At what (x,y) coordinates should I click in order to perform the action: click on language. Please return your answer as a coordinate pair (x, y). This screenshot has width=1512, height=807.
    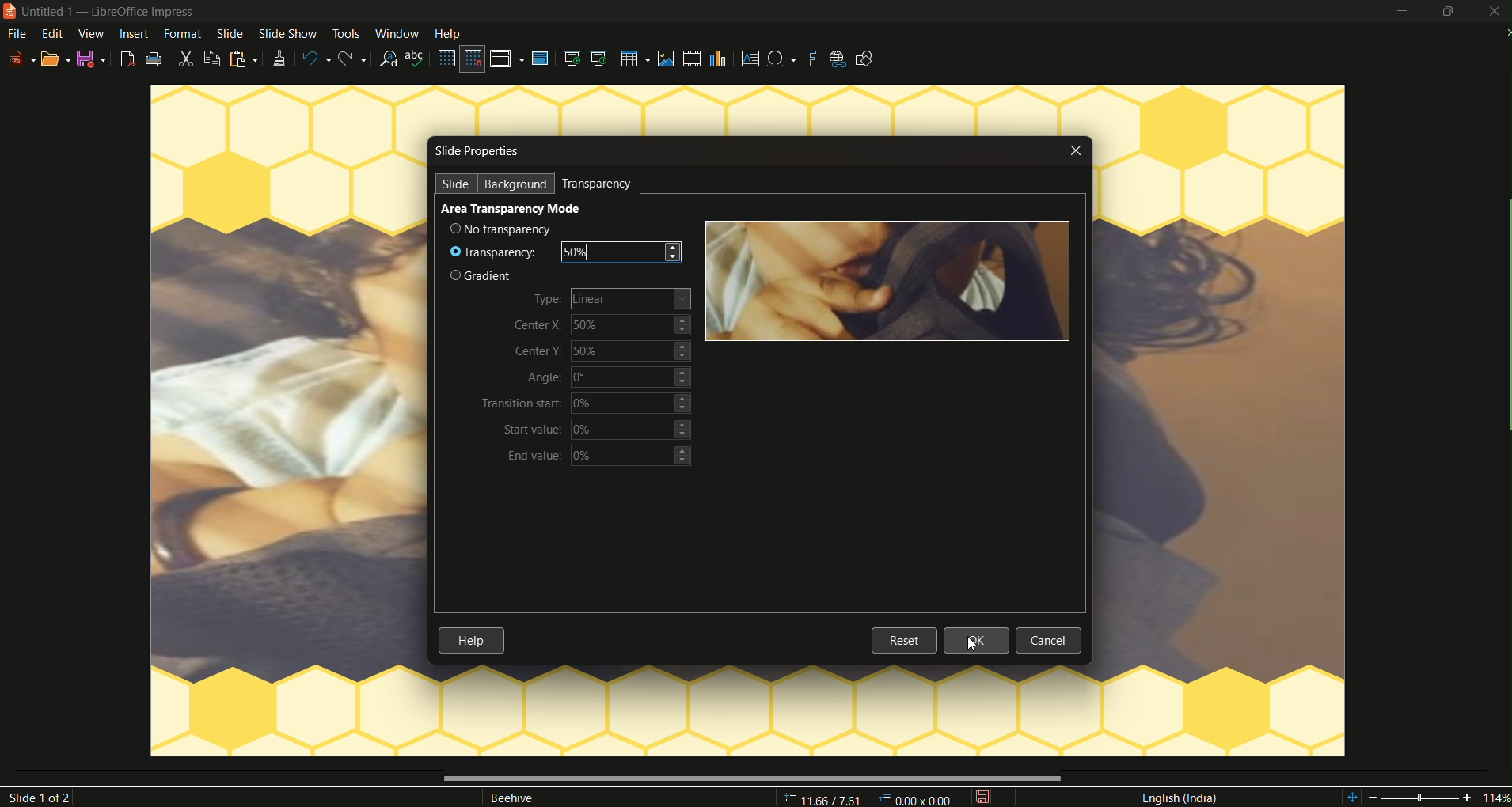
    Looking at the image, I should click on (1179, 798).